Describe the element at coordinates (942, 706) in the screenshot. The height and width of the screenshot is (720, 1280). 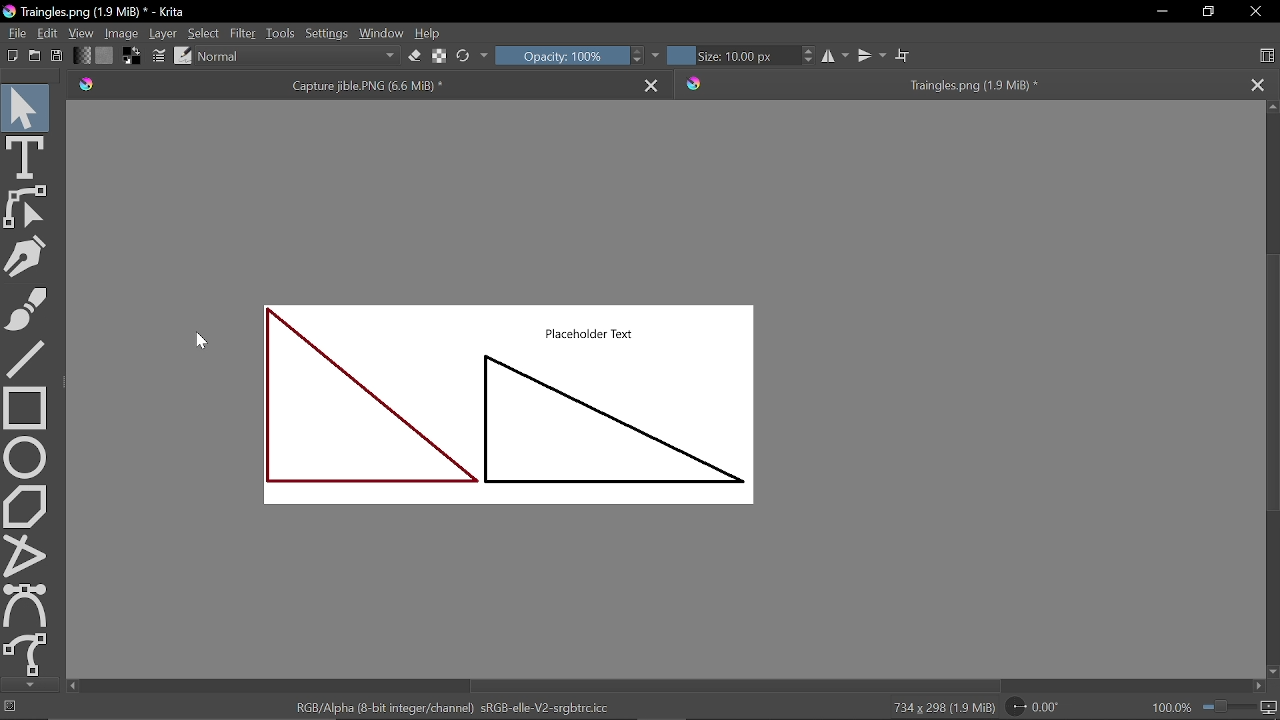
I see `734 x 298 (1.9 MiB)` at that location.